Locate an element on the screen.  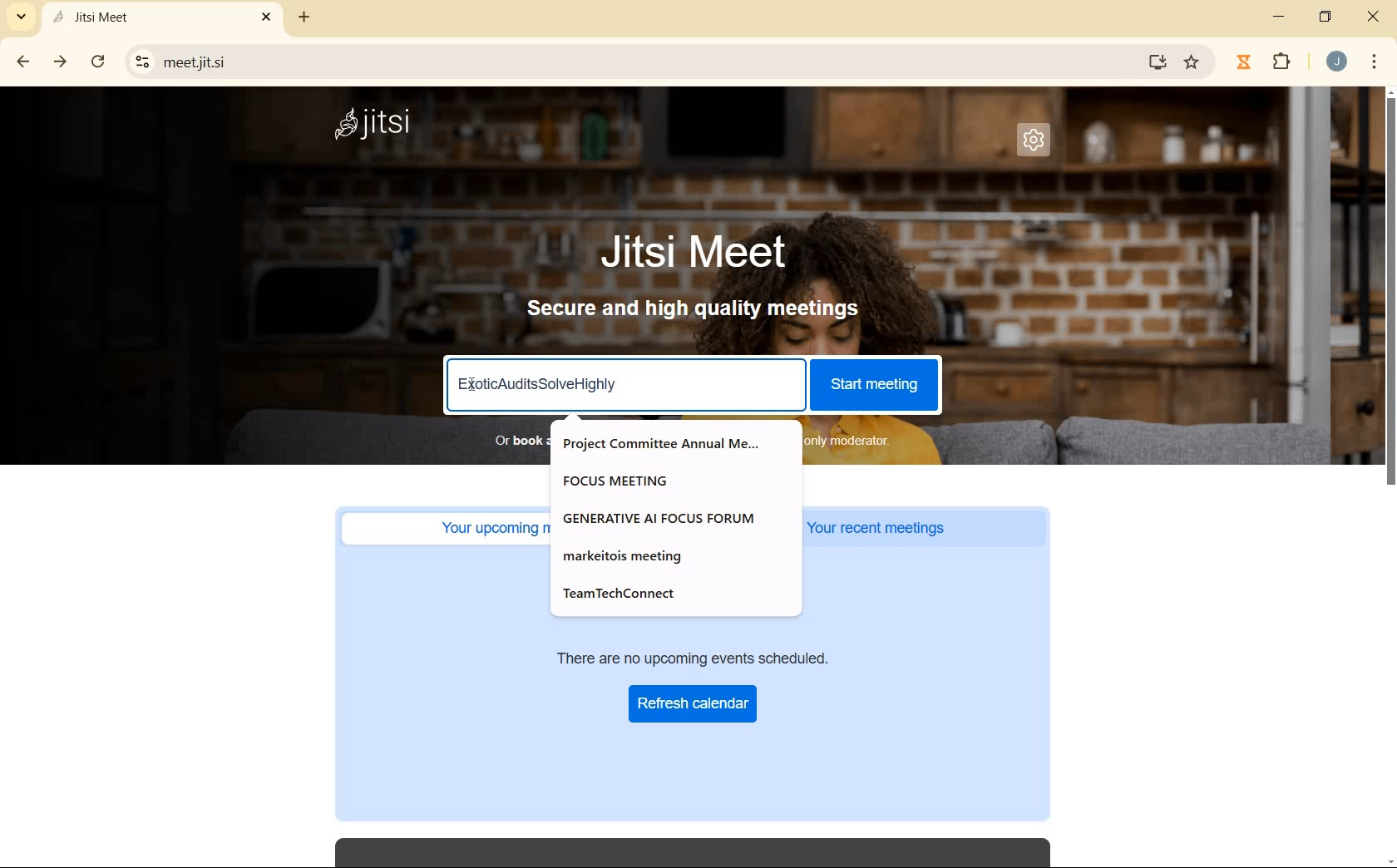
new tab is located at coordinates (301, 20).